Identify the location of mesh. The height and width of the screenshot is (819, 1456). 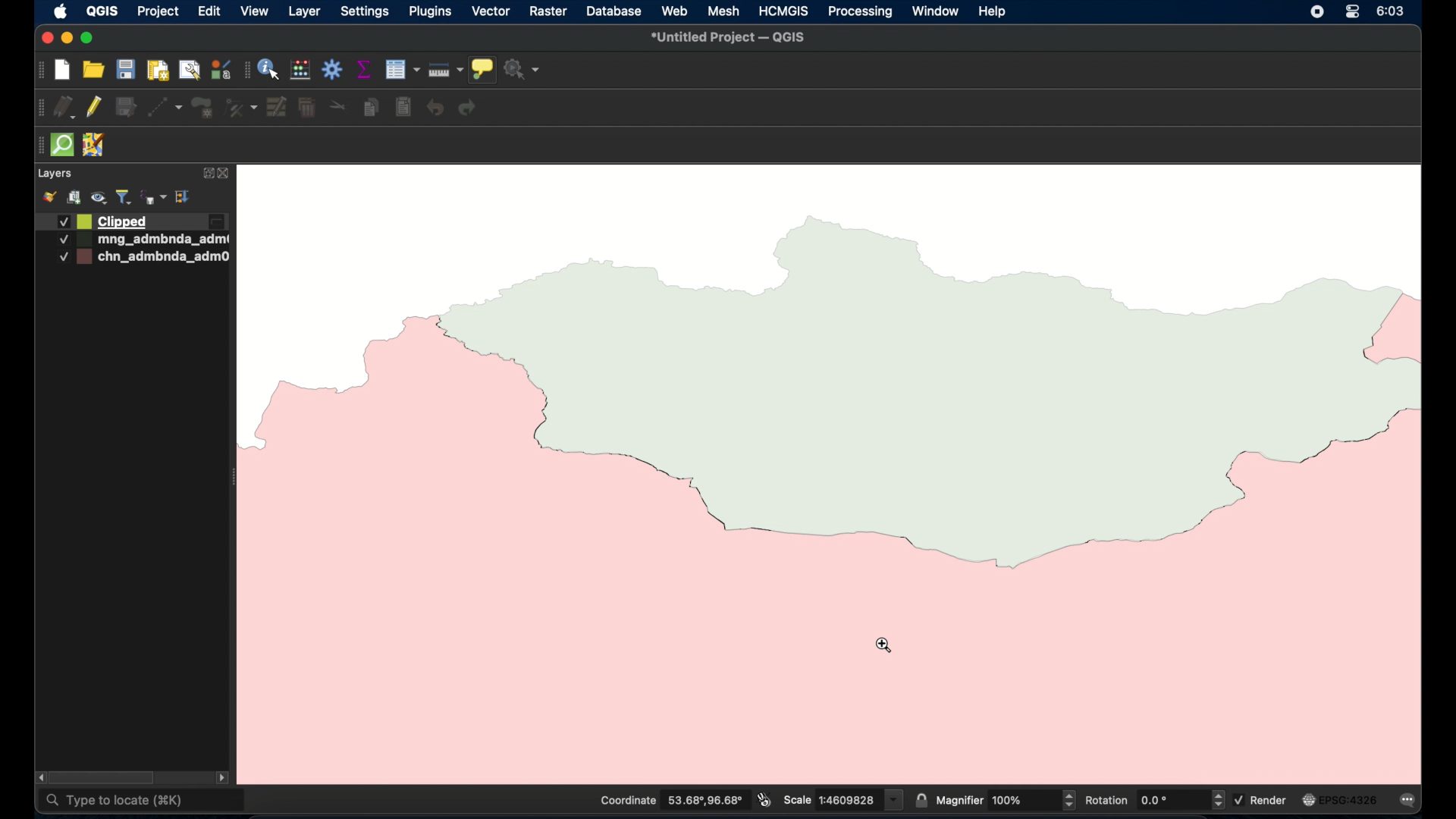
(723, 12).